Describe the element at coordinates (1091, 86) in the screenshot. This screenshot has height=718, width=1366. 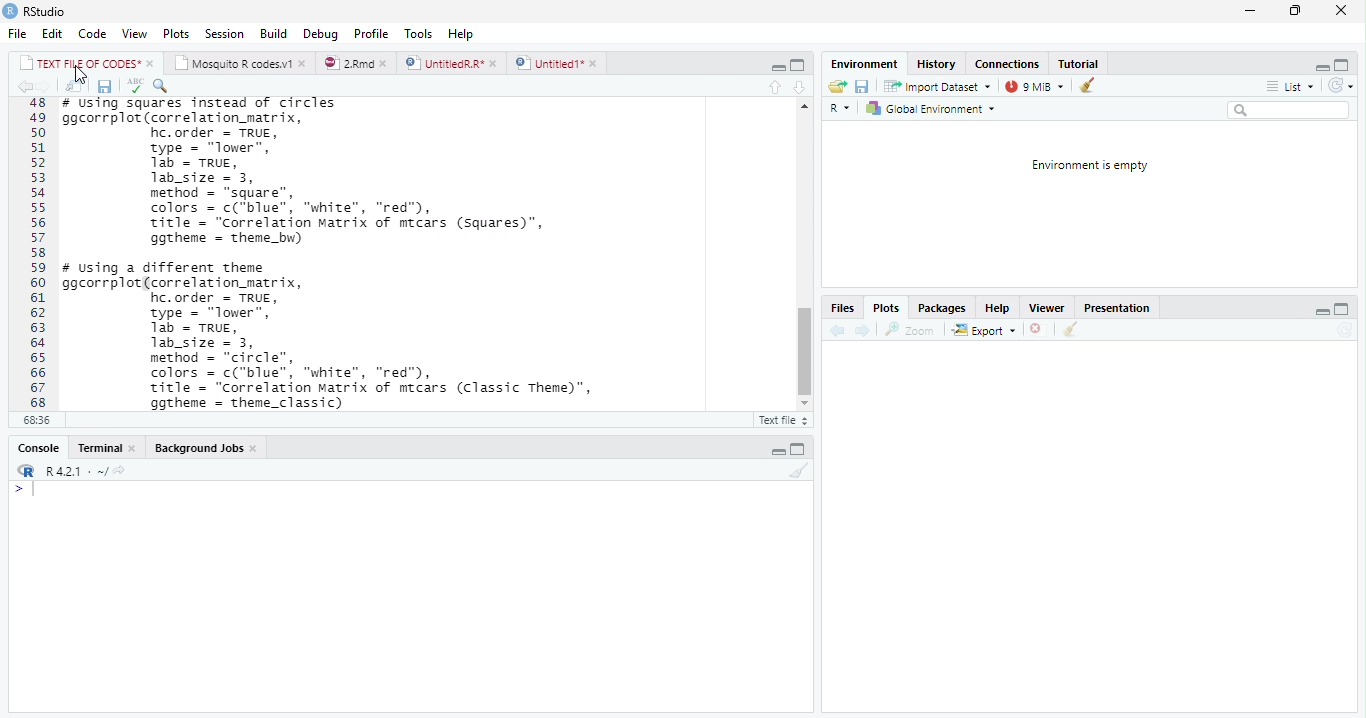
I see `clear history` at that location.